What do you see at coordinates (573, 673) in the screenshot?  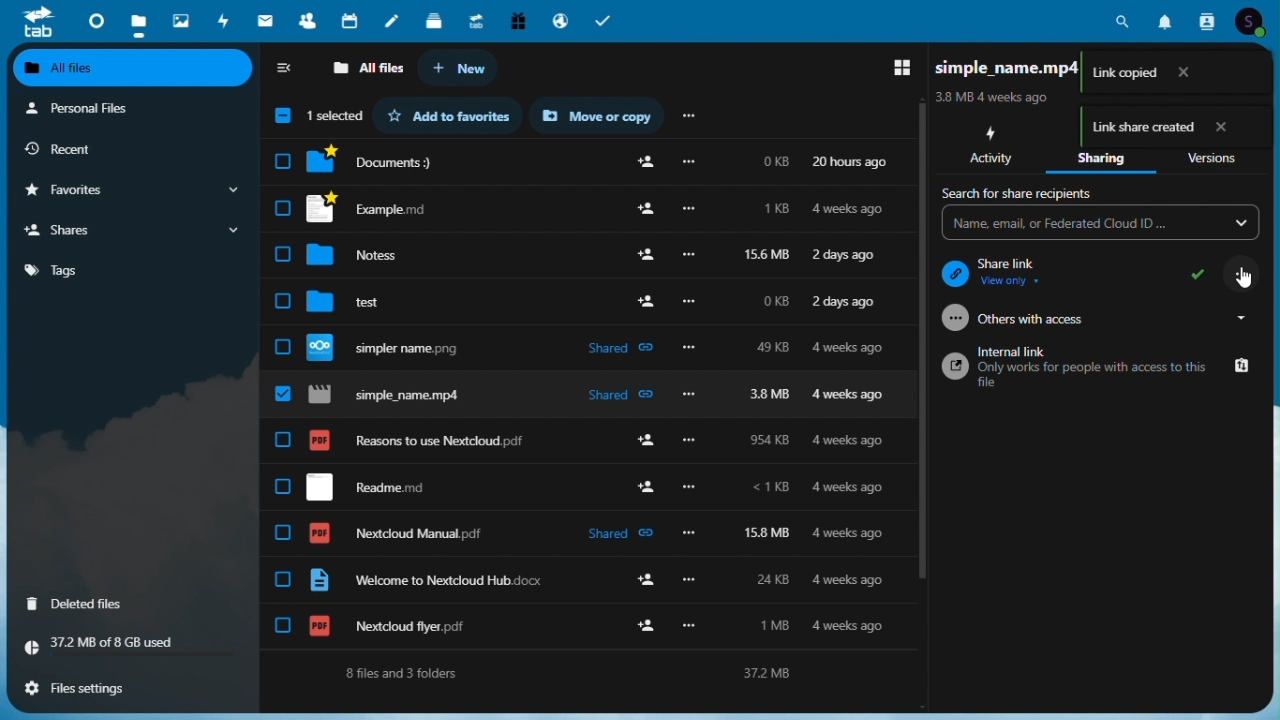 I see `Text` at bounding box center [573, 673].